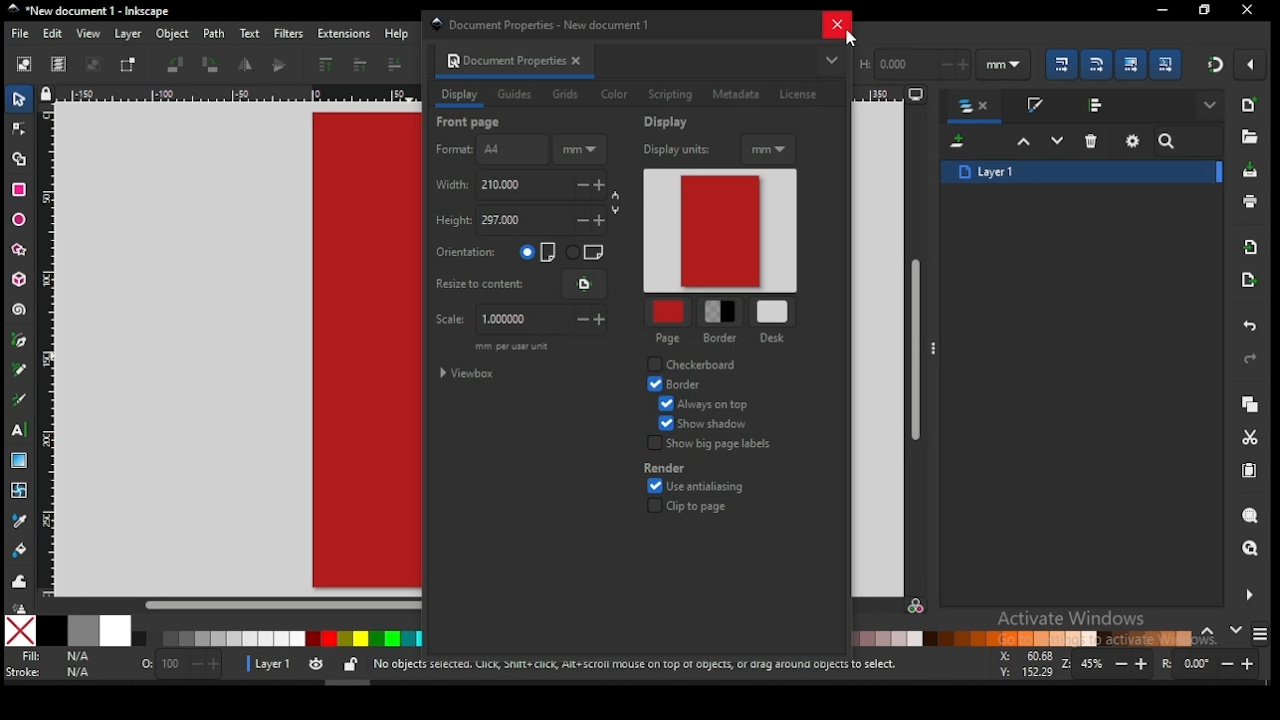  What do you see at coordinates (517, 320) in the screenshot?
I see `scale` at bounding box center [517, 320].